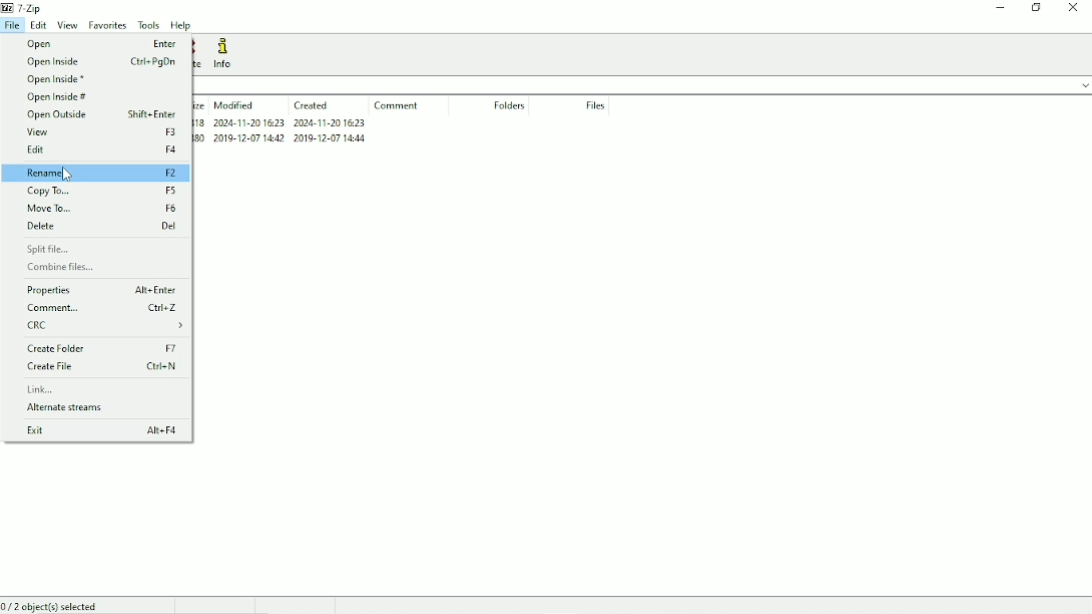 The width and height of the screenshot is (1092, 614). What do you see at coordinates (1001, 8) in the screenshot?
I see `Minimize` at bounding box center [1001, 8].